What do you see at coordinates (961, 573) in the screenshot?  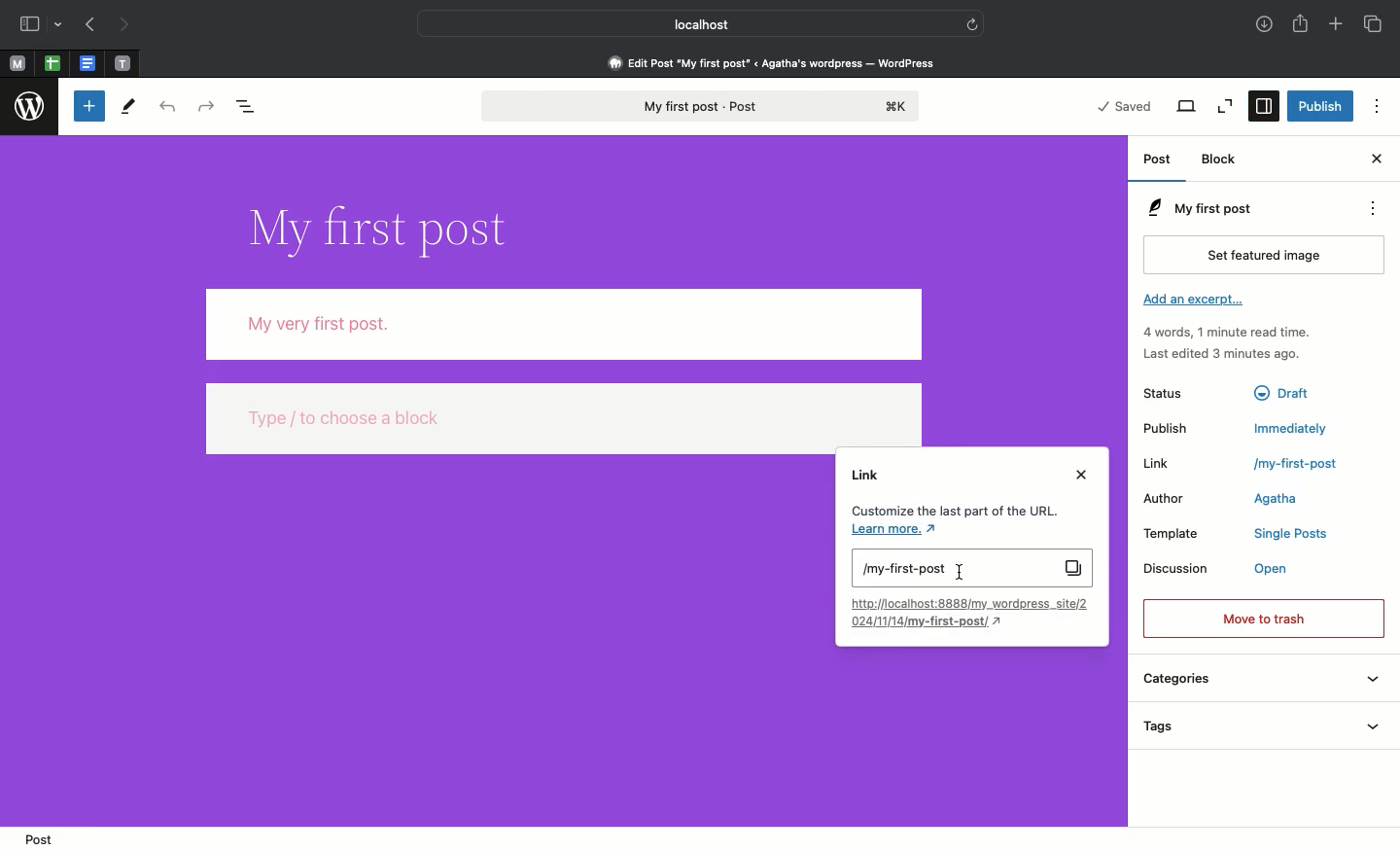 I see `cursor` at bounding box center [961, 573].